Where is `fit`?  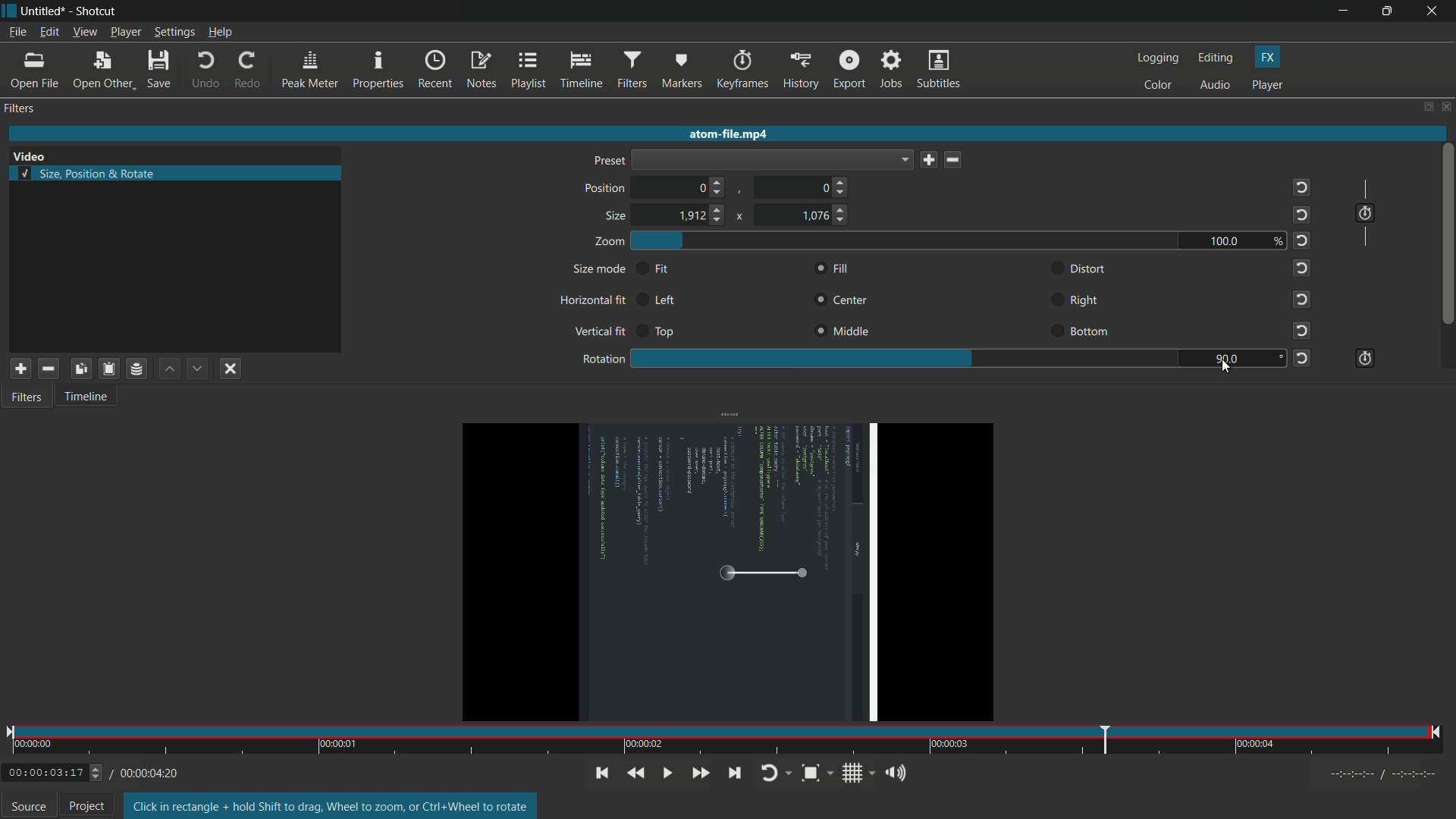 fit is located at coordinates (659, 270).